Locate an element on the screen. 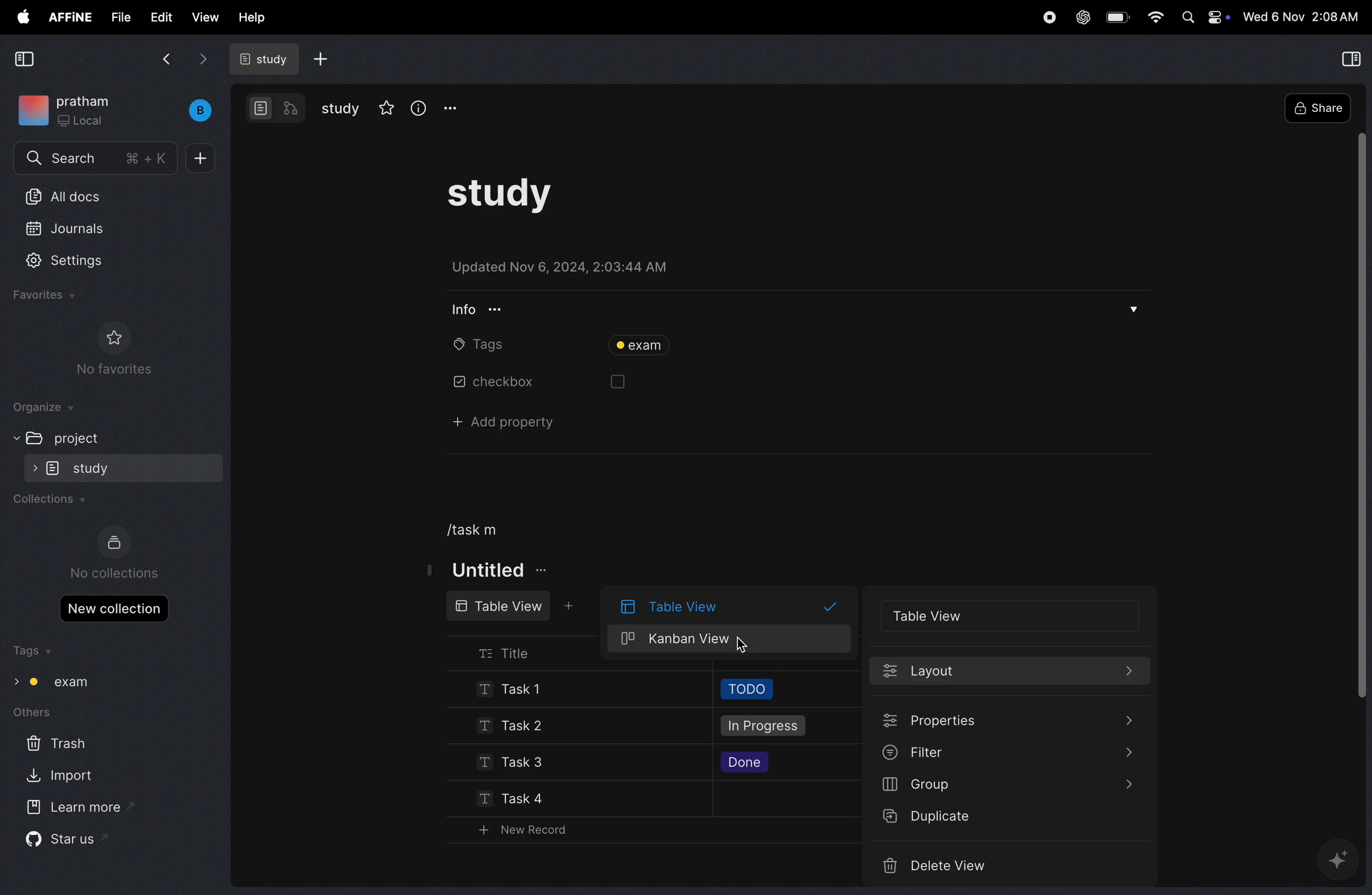  chat gpt is located at coordinates (1079, 18).